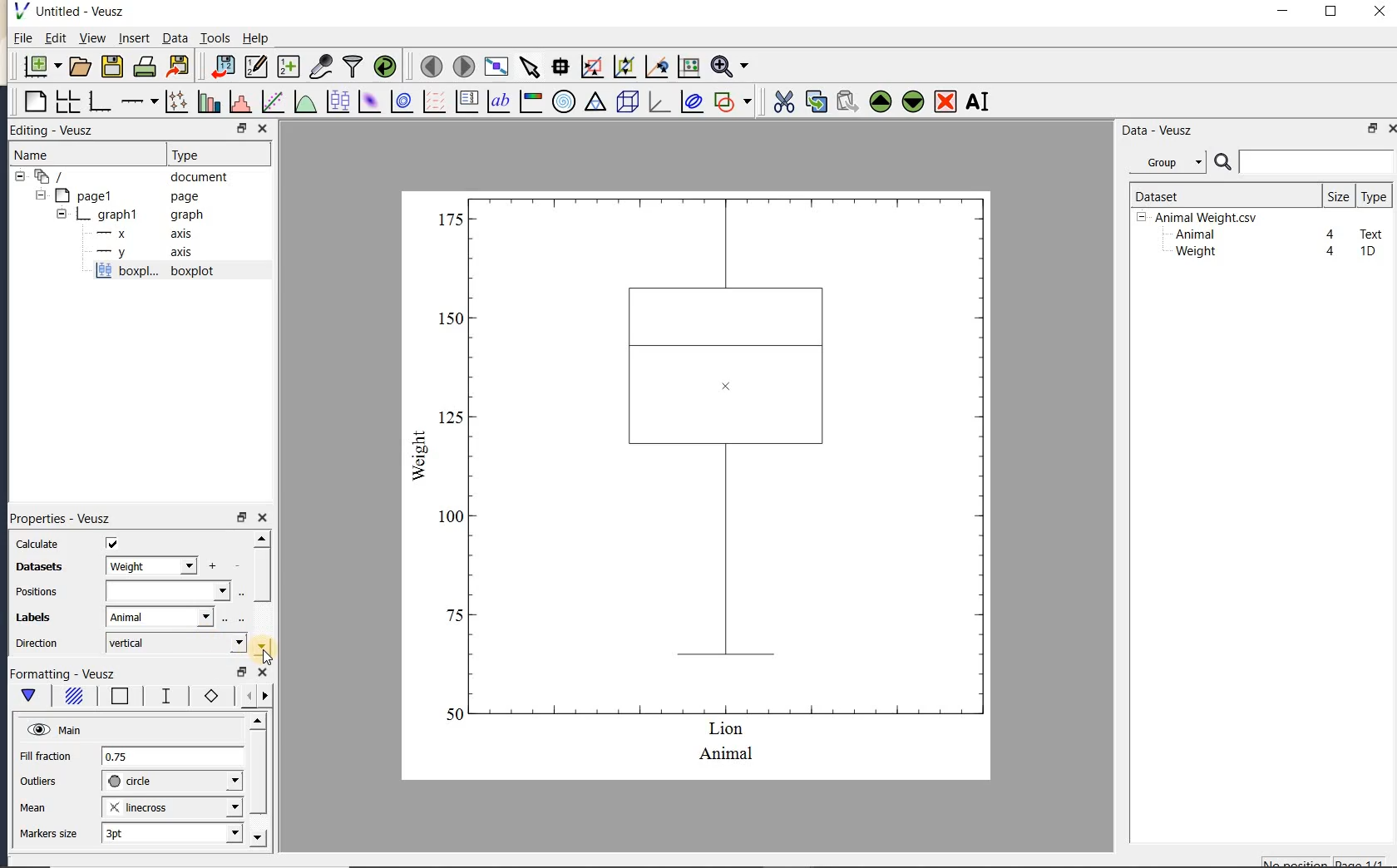  What do you see at coordinates (496, 67) in the screenshot?
I see `view plot full screen` at bounding box center [496, 67].